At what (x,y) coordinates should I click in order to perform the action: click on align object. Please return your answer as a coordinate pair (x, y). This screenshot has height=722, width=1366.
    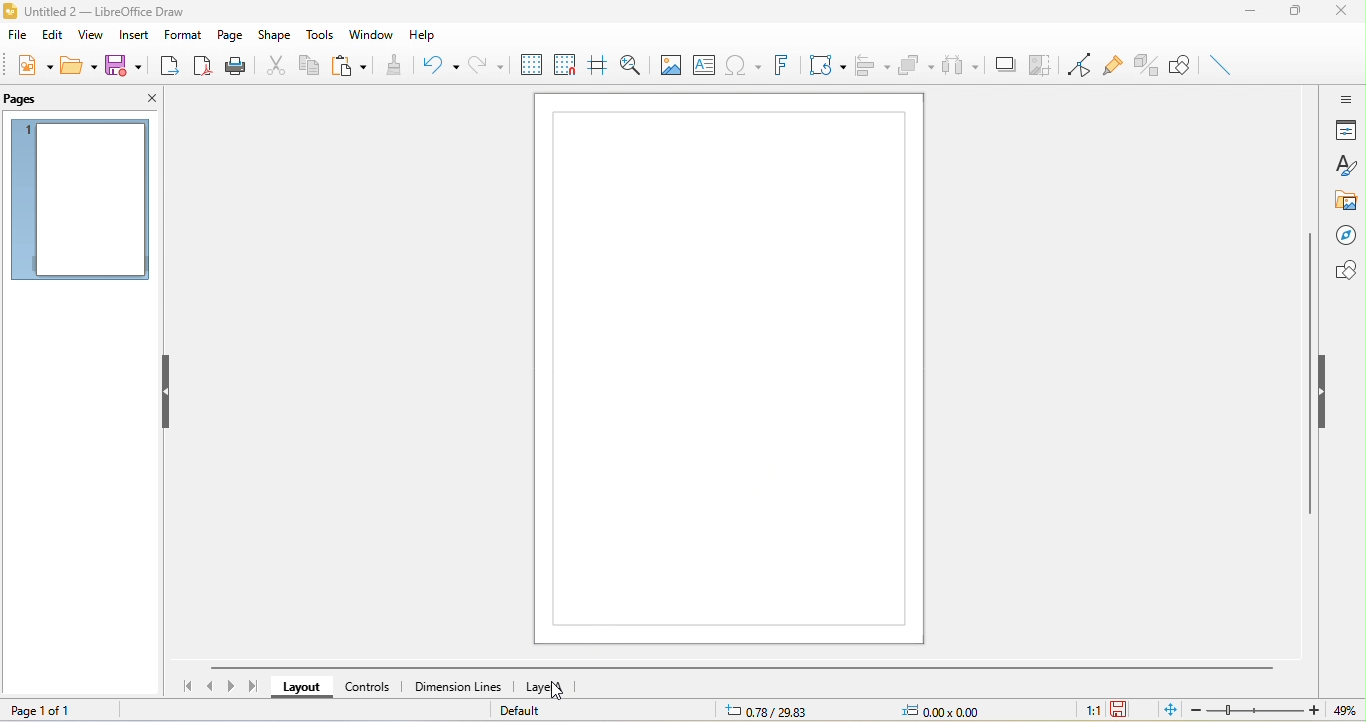
    Looking at the image, I should click on (871, 66).